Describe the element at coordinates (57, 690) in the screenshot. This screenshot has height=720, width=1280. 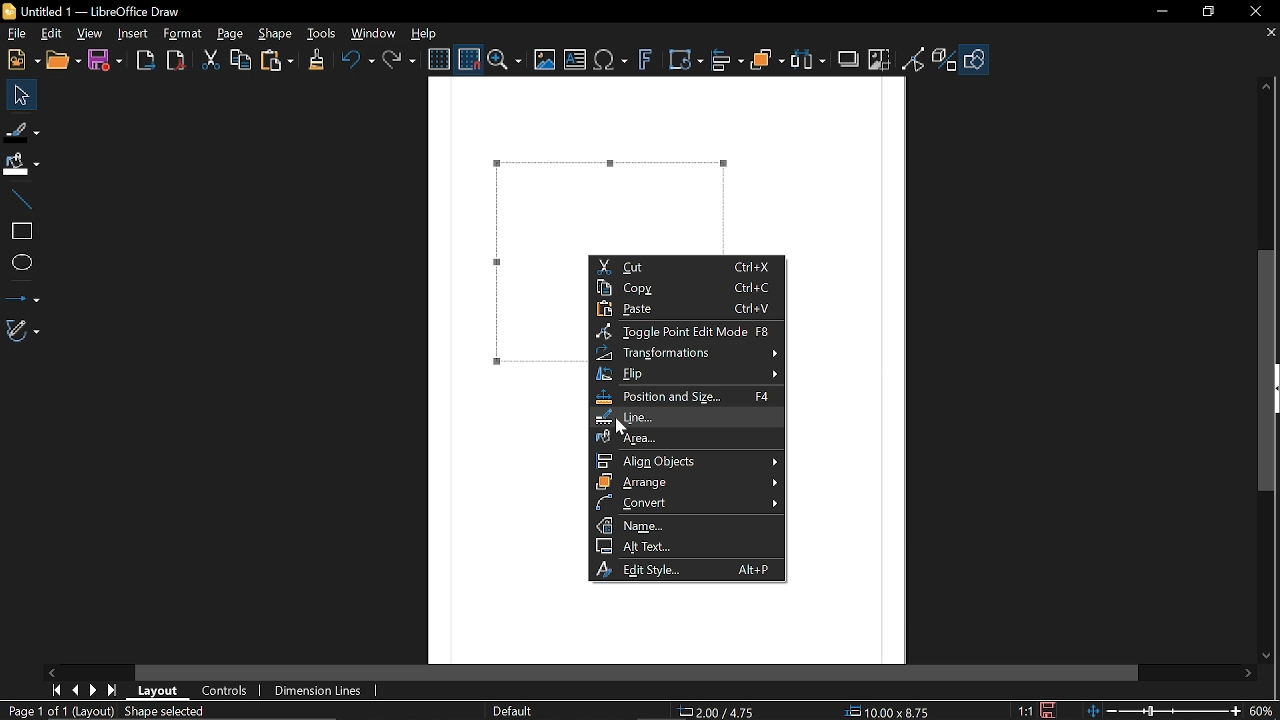
I see `First page` at that location.